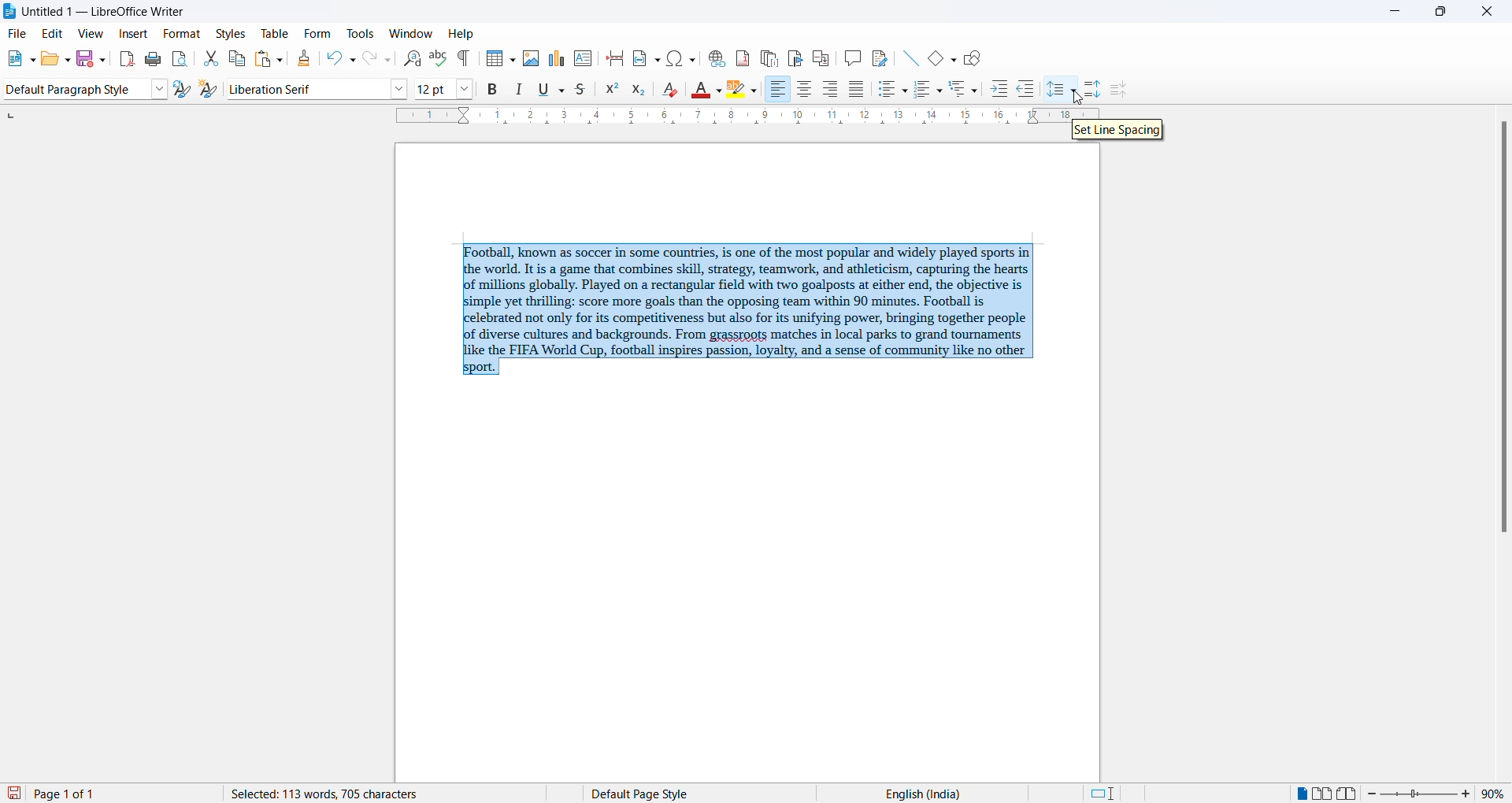 Image resolution: width=1512 pixels, height=803 pixels. I want to click on file, so click(20, 33).